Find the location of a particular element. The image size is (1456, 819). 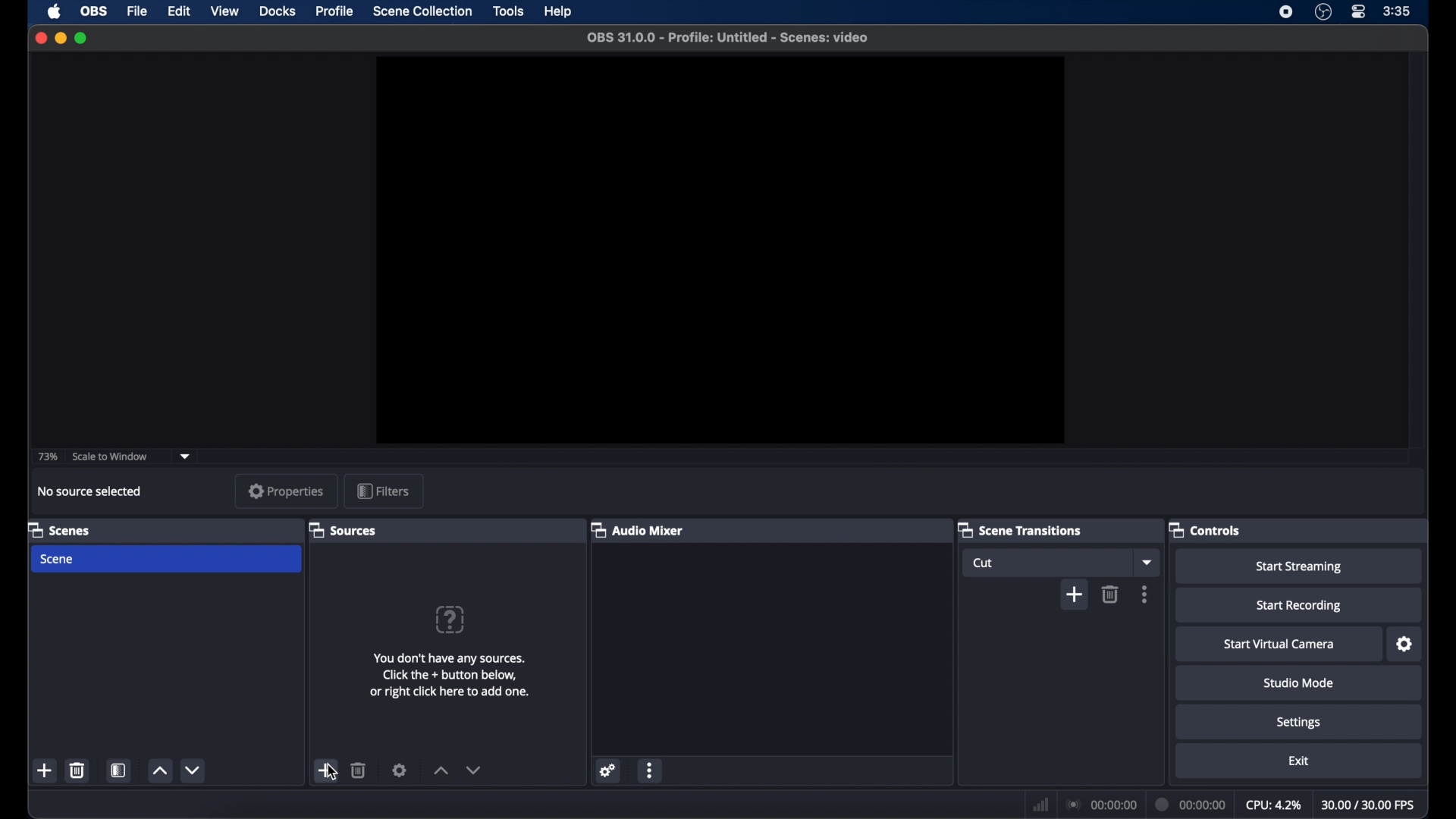

question mark is located at coordinates (450, 619).